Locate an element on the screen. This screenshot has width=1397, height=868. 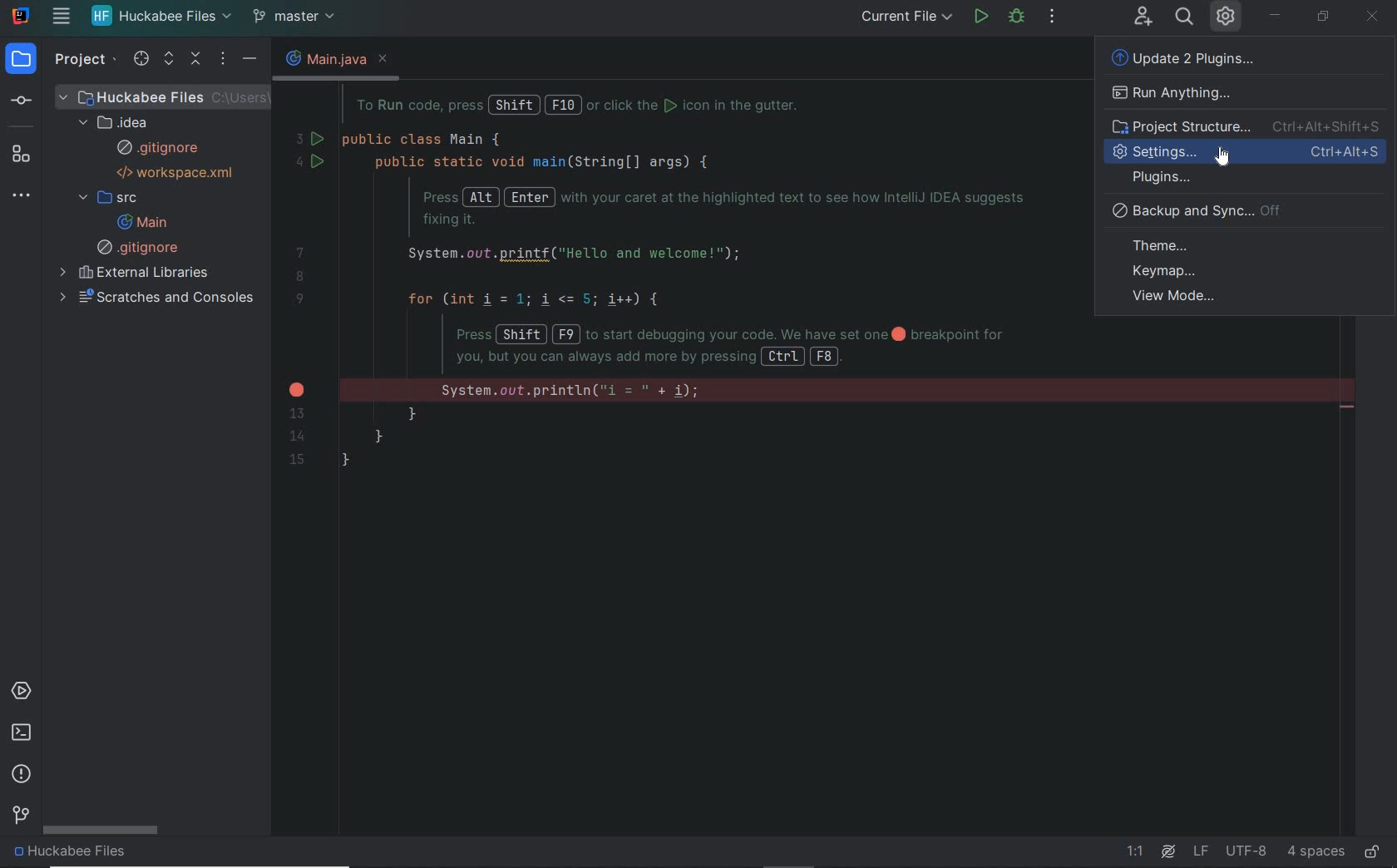
select opened file is located at coordinates (145, 60).